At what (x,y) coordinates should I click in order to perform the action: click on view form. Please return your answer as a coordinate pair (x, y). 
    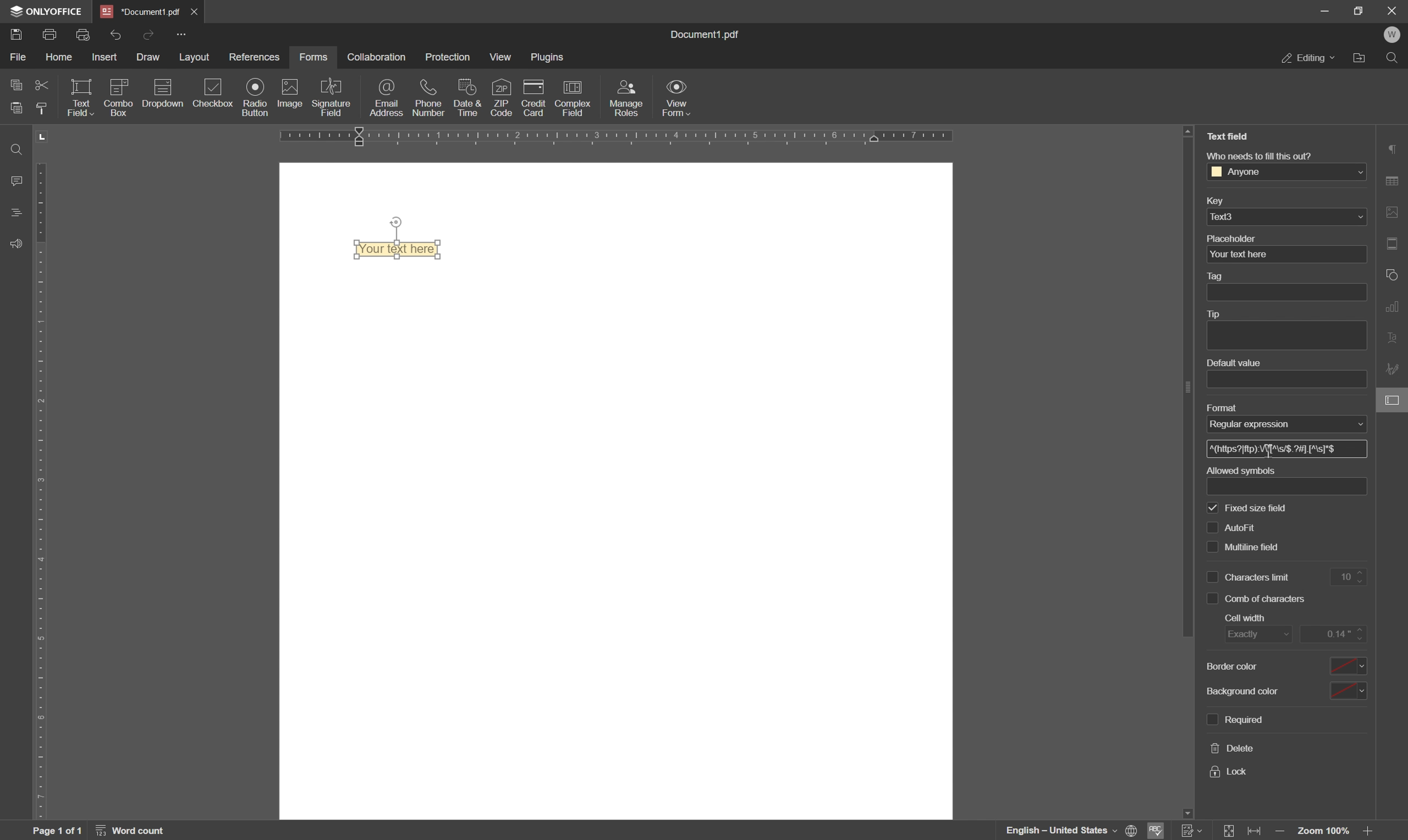
    Looking at the image, I should click on (678, 100).